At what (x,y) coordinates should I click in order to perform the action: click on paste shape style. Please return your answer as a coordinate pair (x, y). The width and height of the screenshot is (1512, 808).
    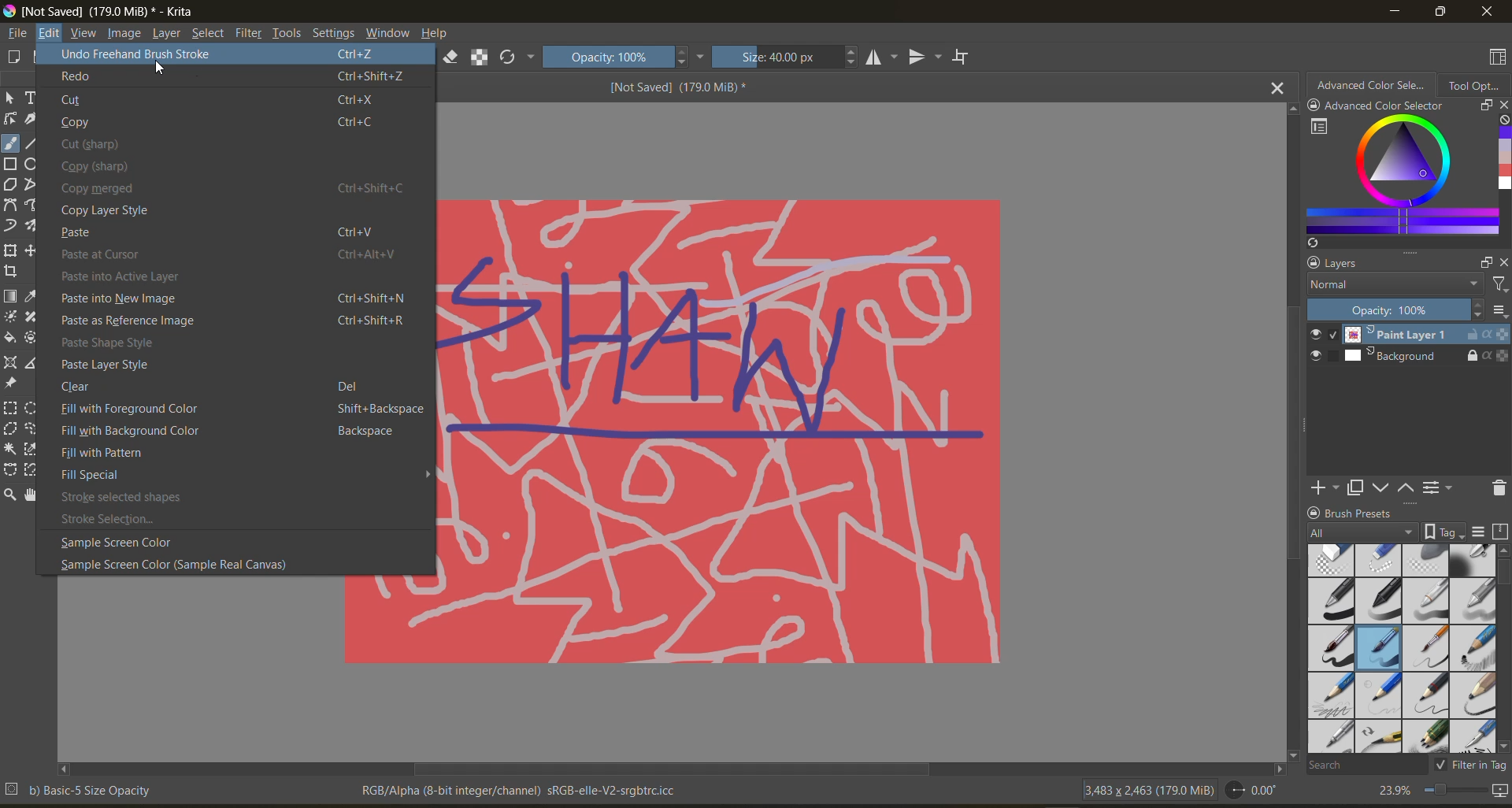
    Looking at the image, I should click on (121, 343).